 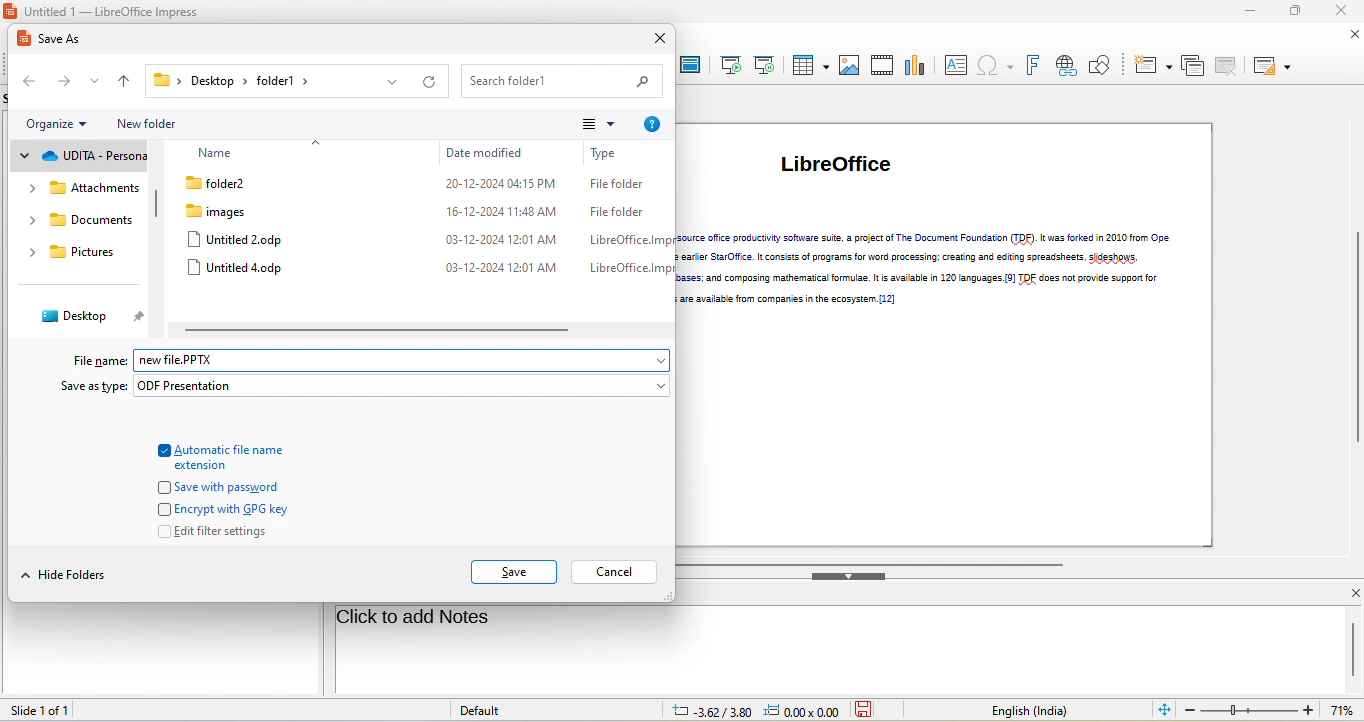 I want to click on close, so click(x=1350, y=593).